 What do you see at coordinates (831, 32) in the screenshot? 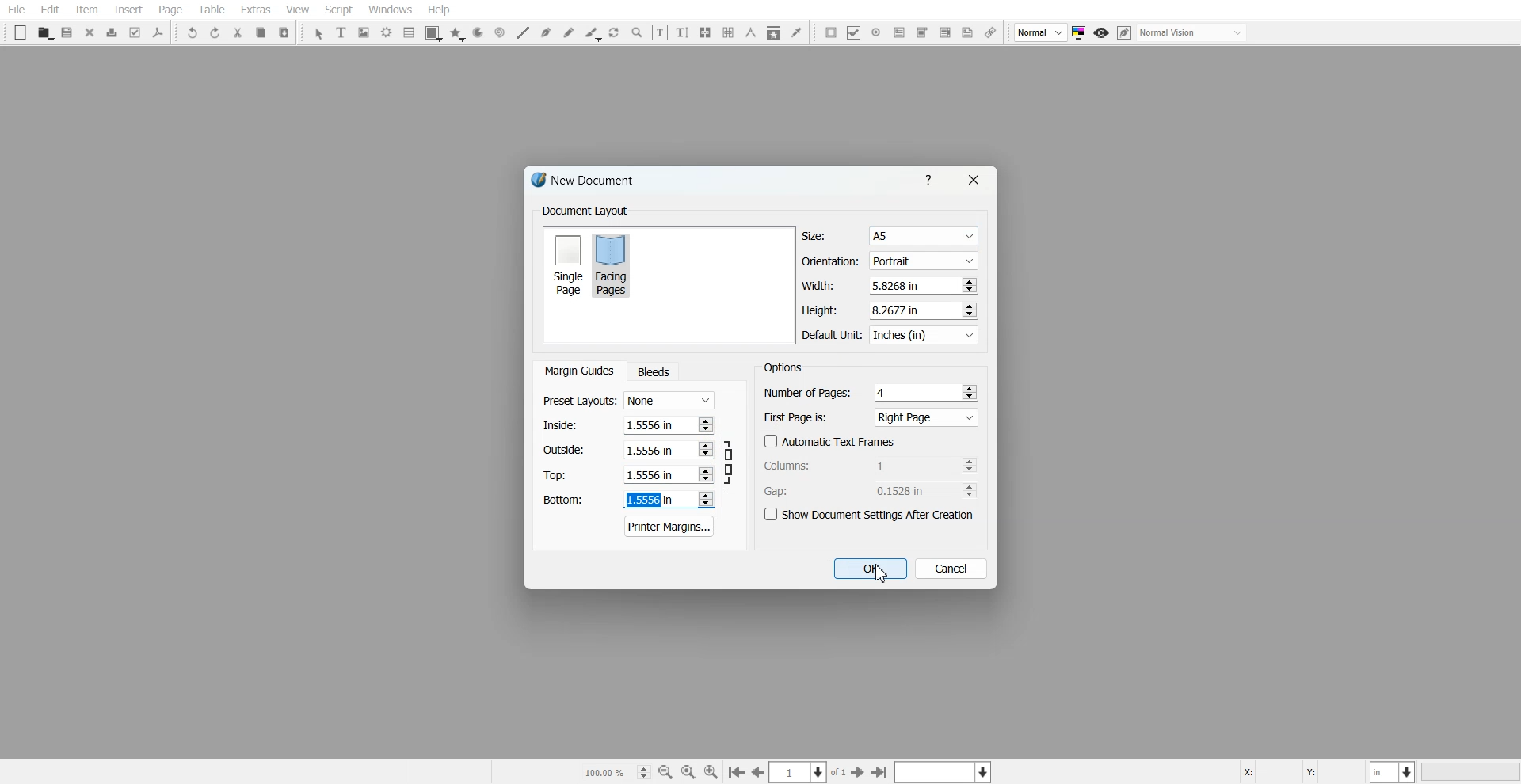
I see `PDF Push button` at bounding box center [831, 32].